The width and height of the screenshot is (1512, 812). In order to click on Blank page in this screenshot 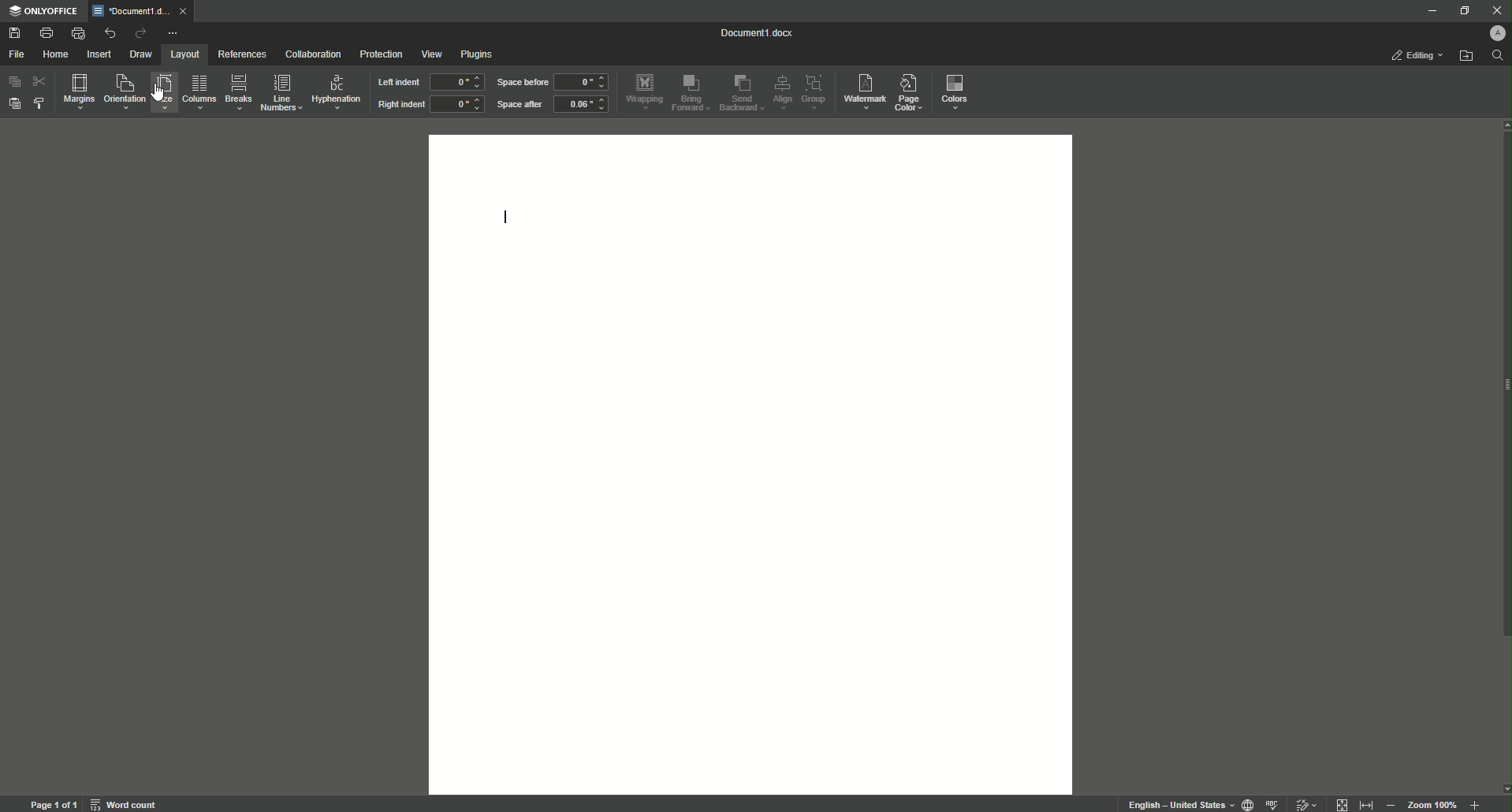, I will do `click(753, 464)`.